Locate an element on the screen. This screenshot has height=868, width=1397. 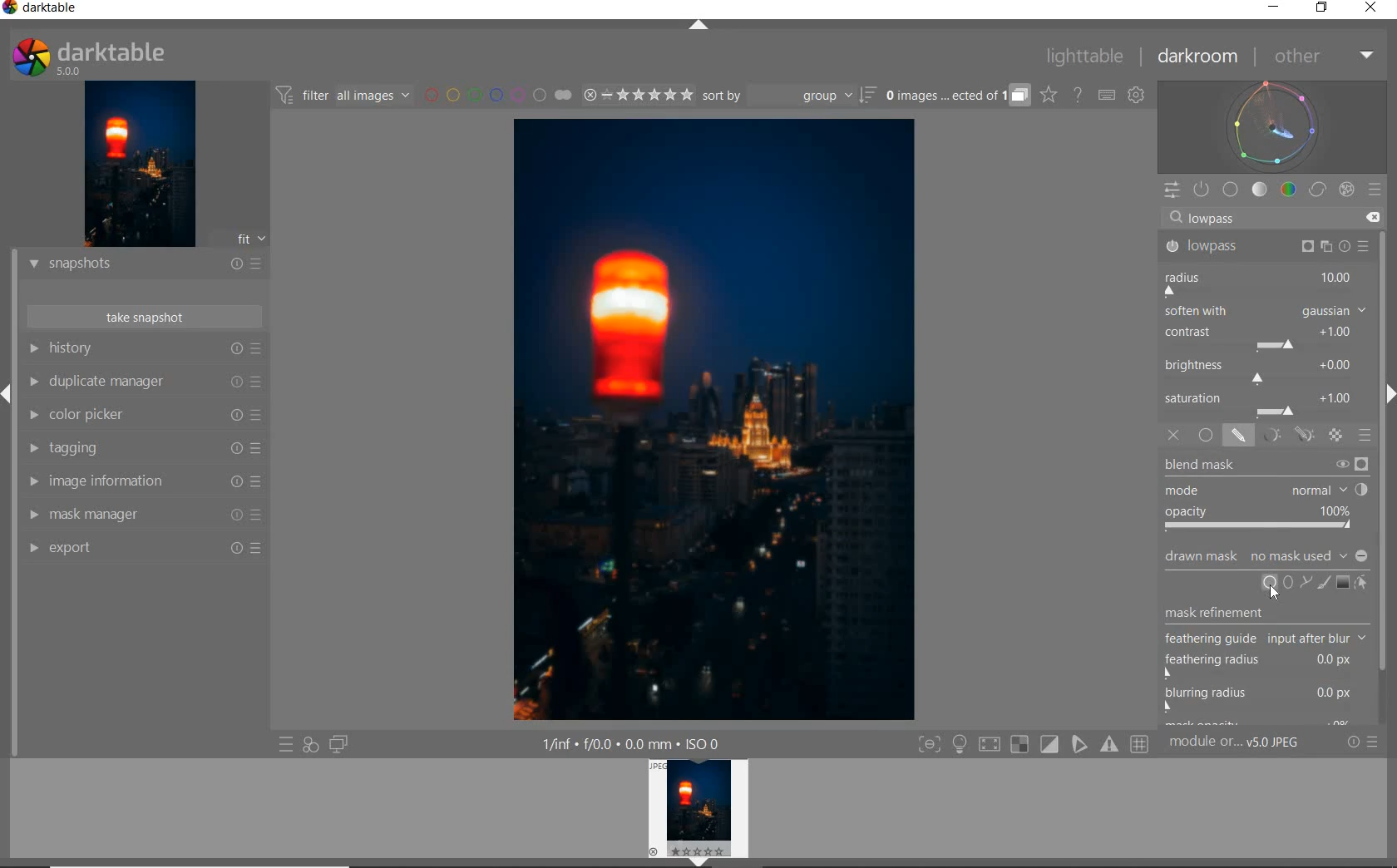
SET KEYBOARD SHORTCUTS is located at coordinates (1107, 95).